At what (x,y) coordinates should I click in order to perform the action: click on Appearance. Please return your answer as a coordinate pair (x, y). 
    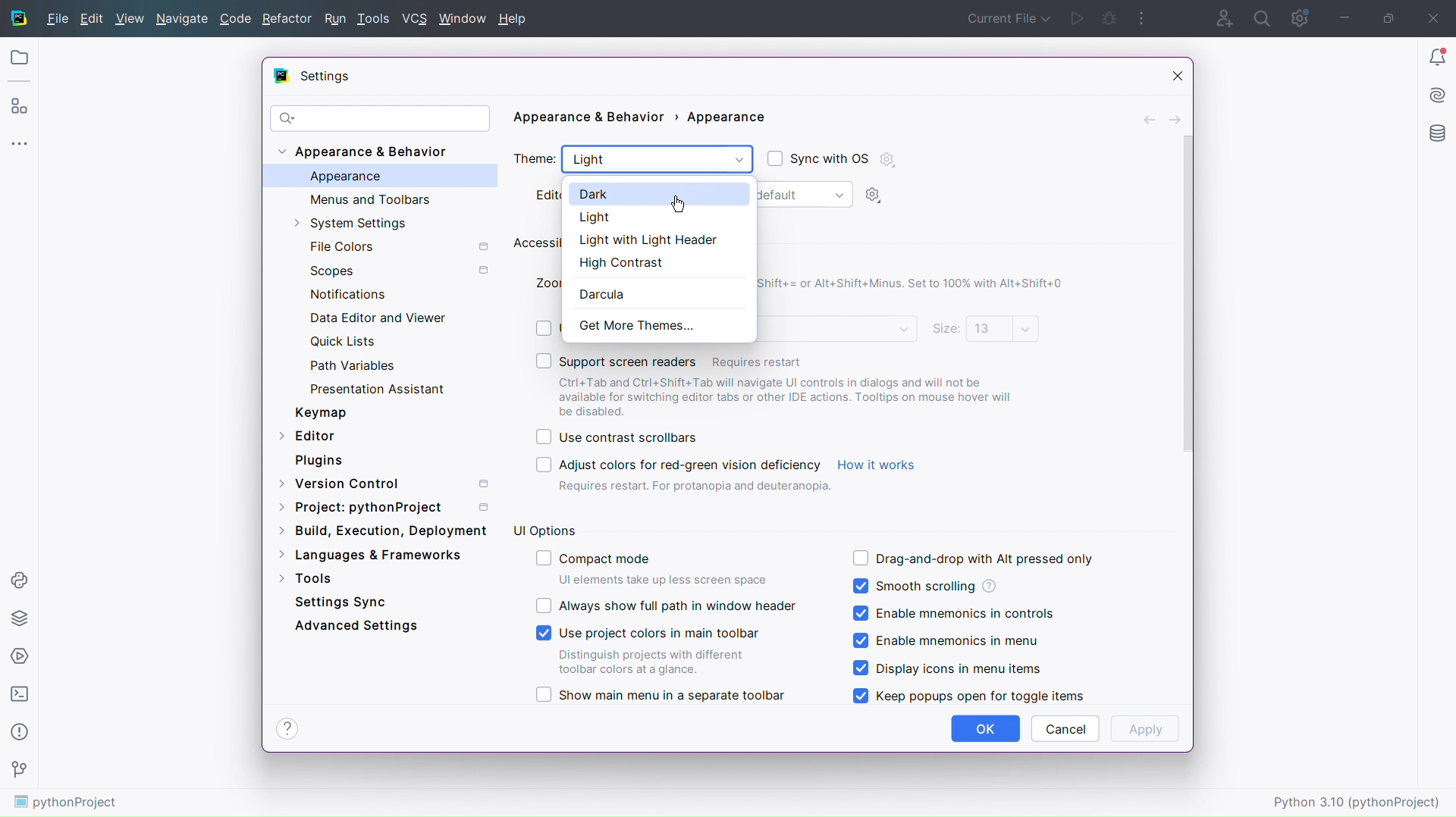
    Looking at the image, I should click on (345, 177).